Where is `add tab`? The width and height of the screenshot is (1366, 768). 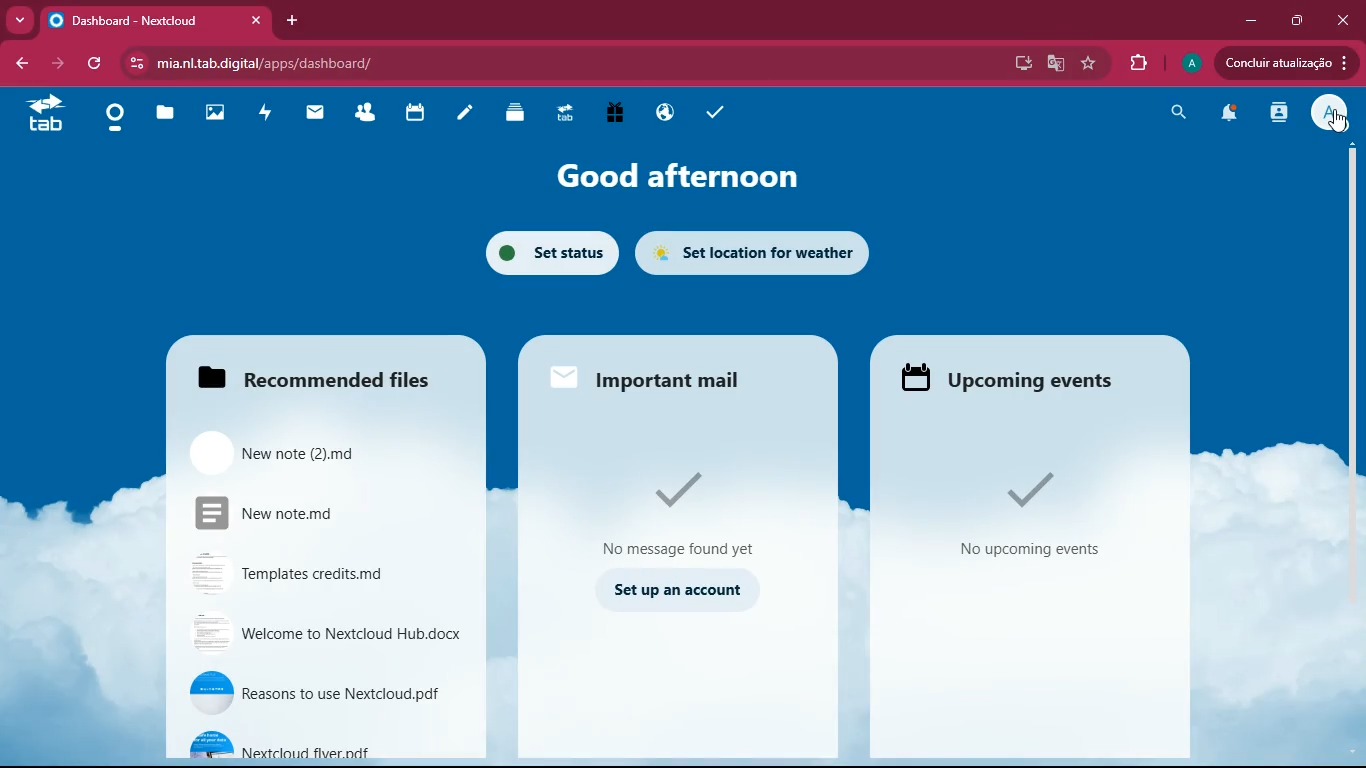
add tab is located at coordinates (292, 19).